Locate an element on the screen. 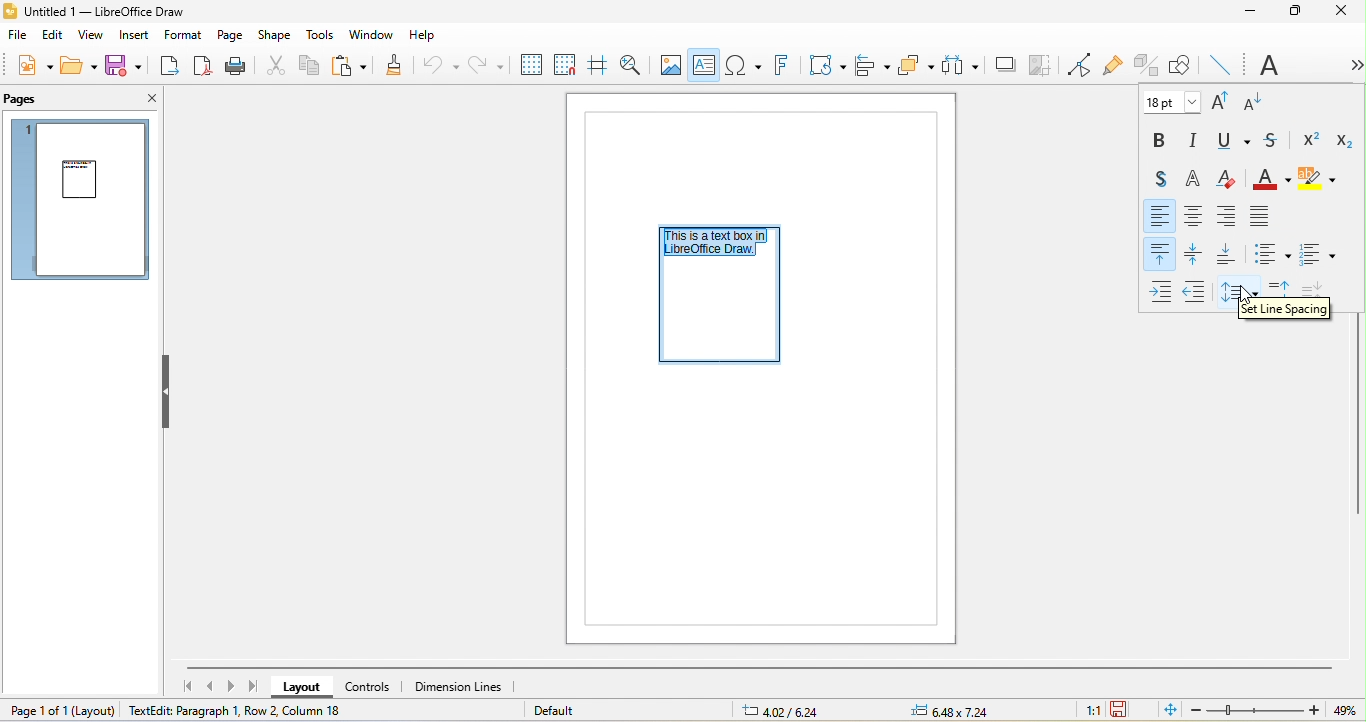 The height and width of the screenshot is (722, 1366). 0.00x0.00 is located at coordinates (961, 711).